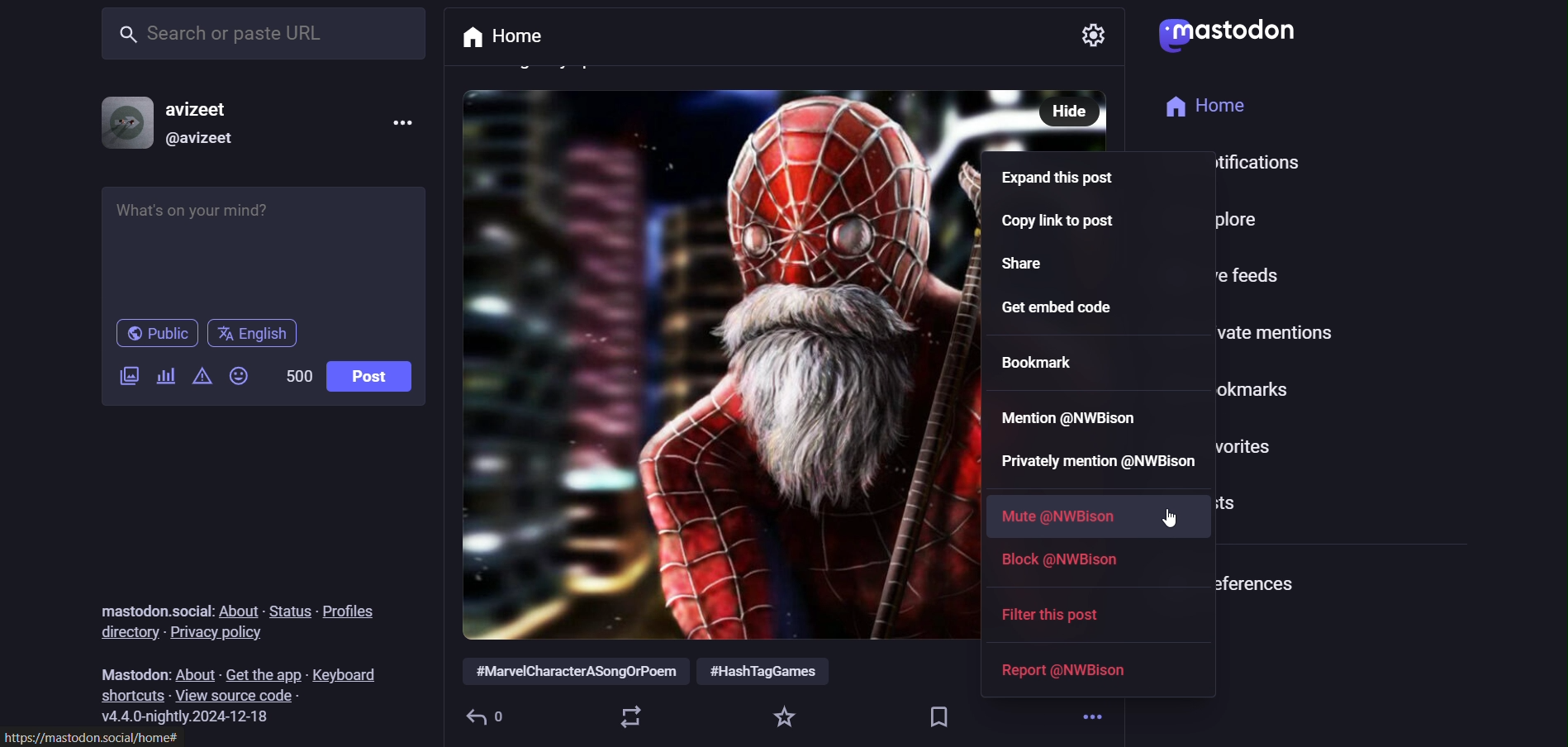 The width and height of the screenshot is (1568, 747). Describe the element at coordinates (194, 717) in the screenshot. I see `version` at that location.